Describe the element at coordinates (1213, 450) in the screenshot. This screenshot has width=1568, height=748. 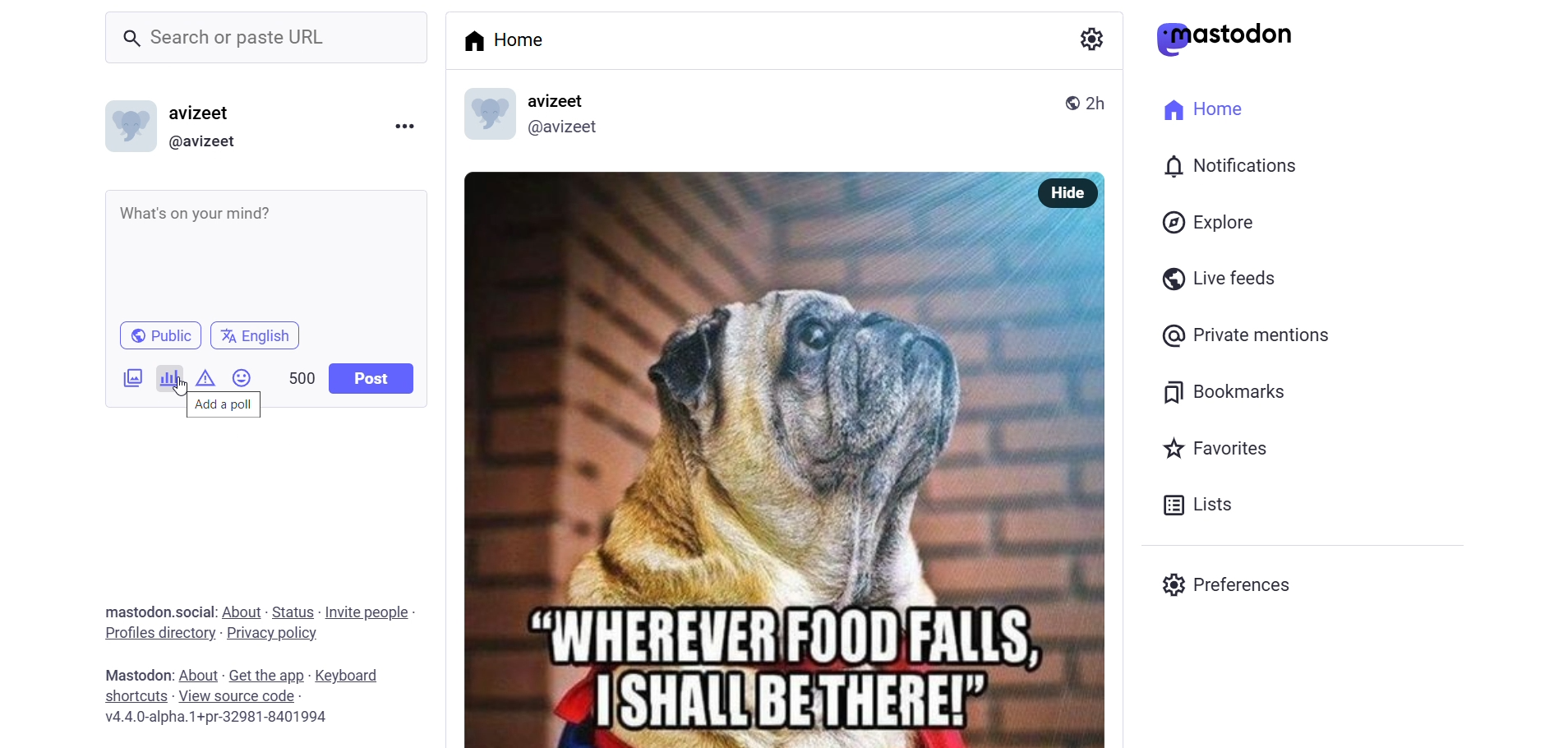
I see `favorite` at that location.